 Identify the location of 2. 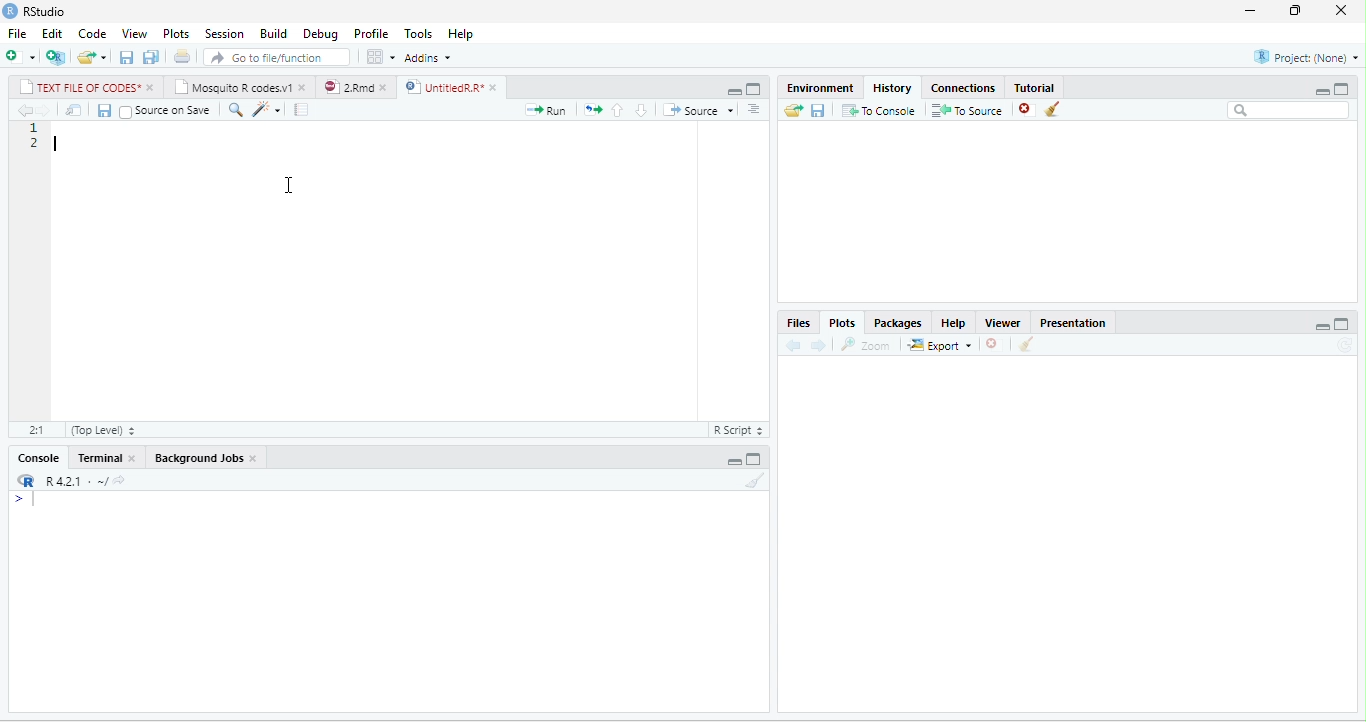
(35, 144).